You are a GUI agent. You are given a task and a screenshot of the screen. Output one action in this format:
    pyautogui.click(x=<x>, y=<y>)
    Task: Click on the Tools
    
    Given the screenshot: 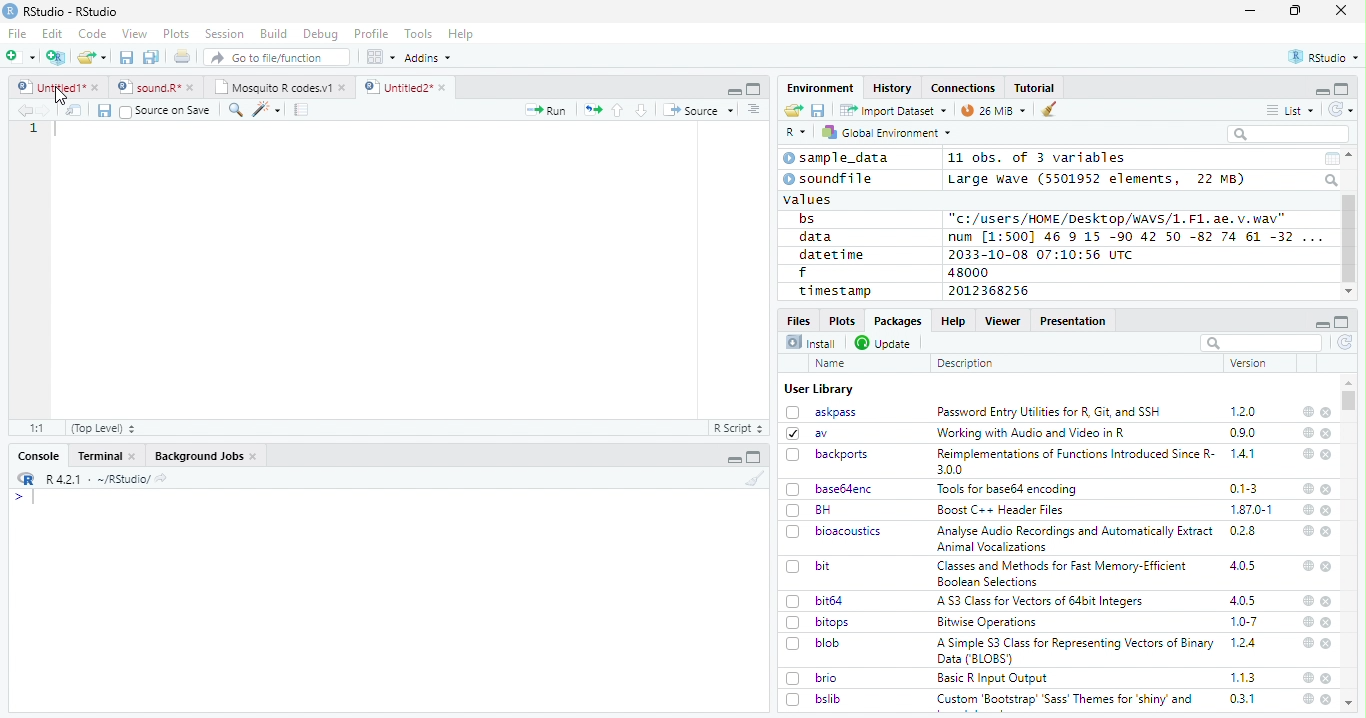 What is the action you would take?
    pyautogui.click(x=417, y=34)
    